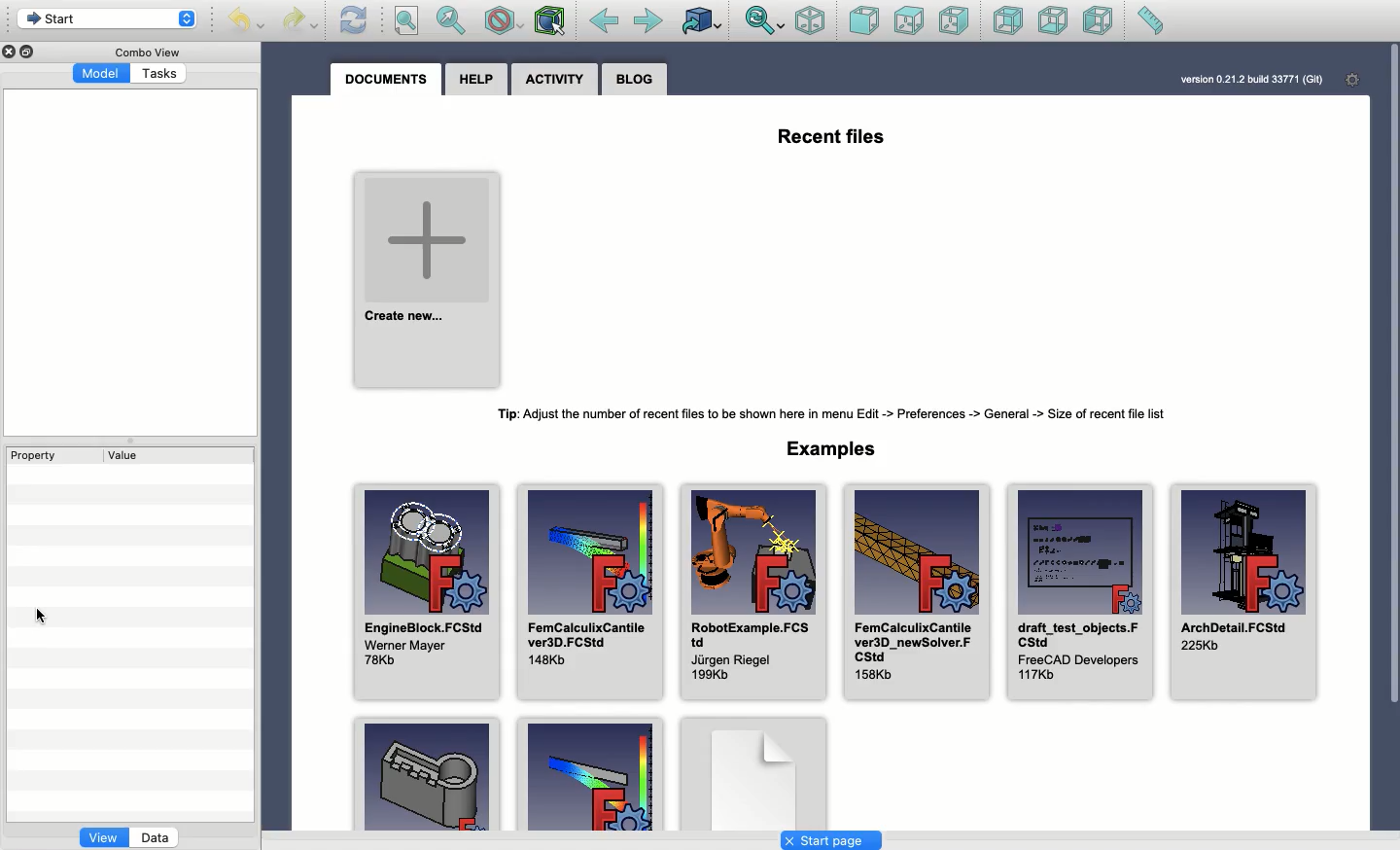 The image size is (1400, 850). What do you see at coordinates (1251, 81) in the screenshot?
I see `version 0.21.2 build 33771 (GlT)` at bounding box center [1251, 81].